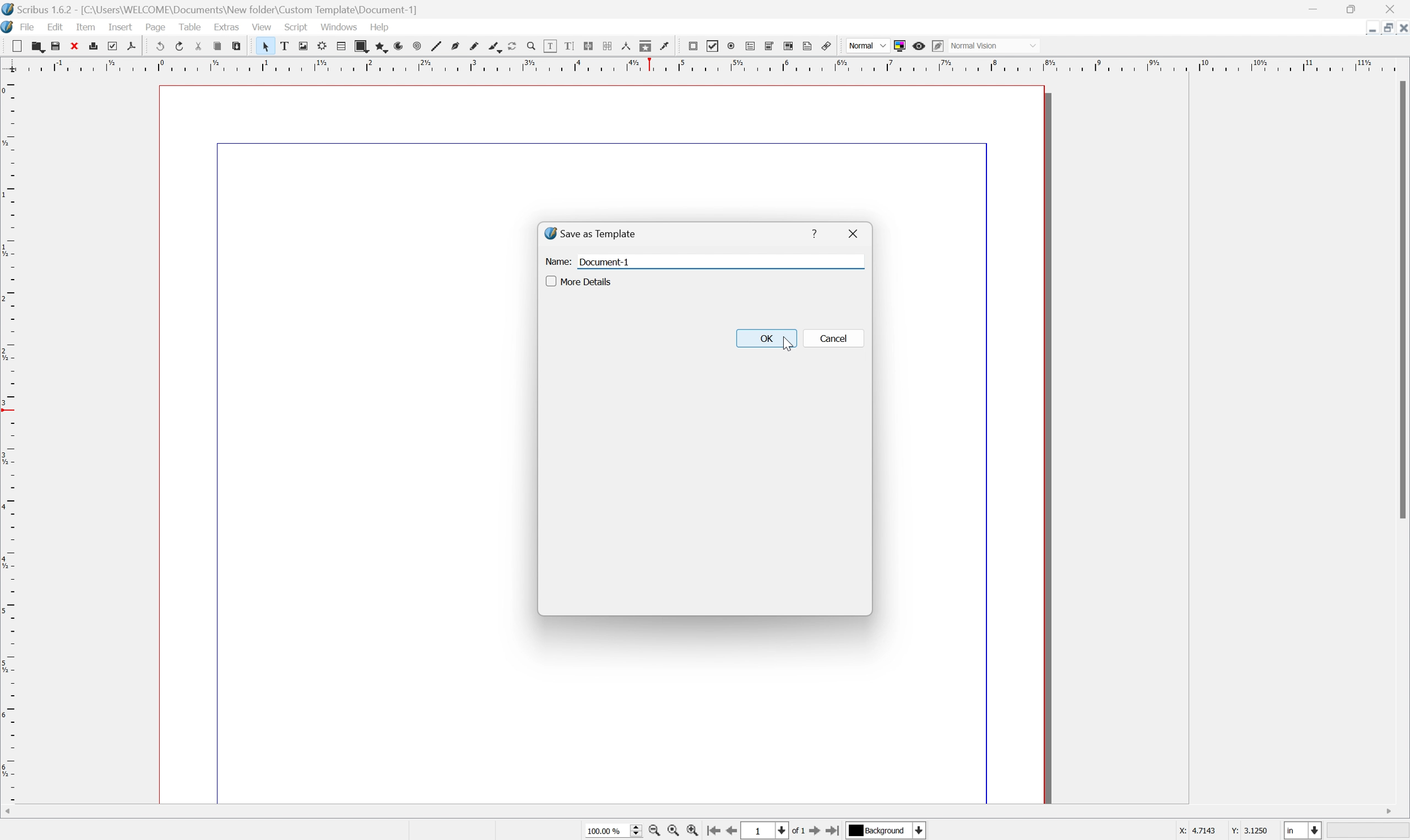  What do you see at coordinates (887, 831) in the screenshot?
I see `Background` at bounding box center [887, 831].